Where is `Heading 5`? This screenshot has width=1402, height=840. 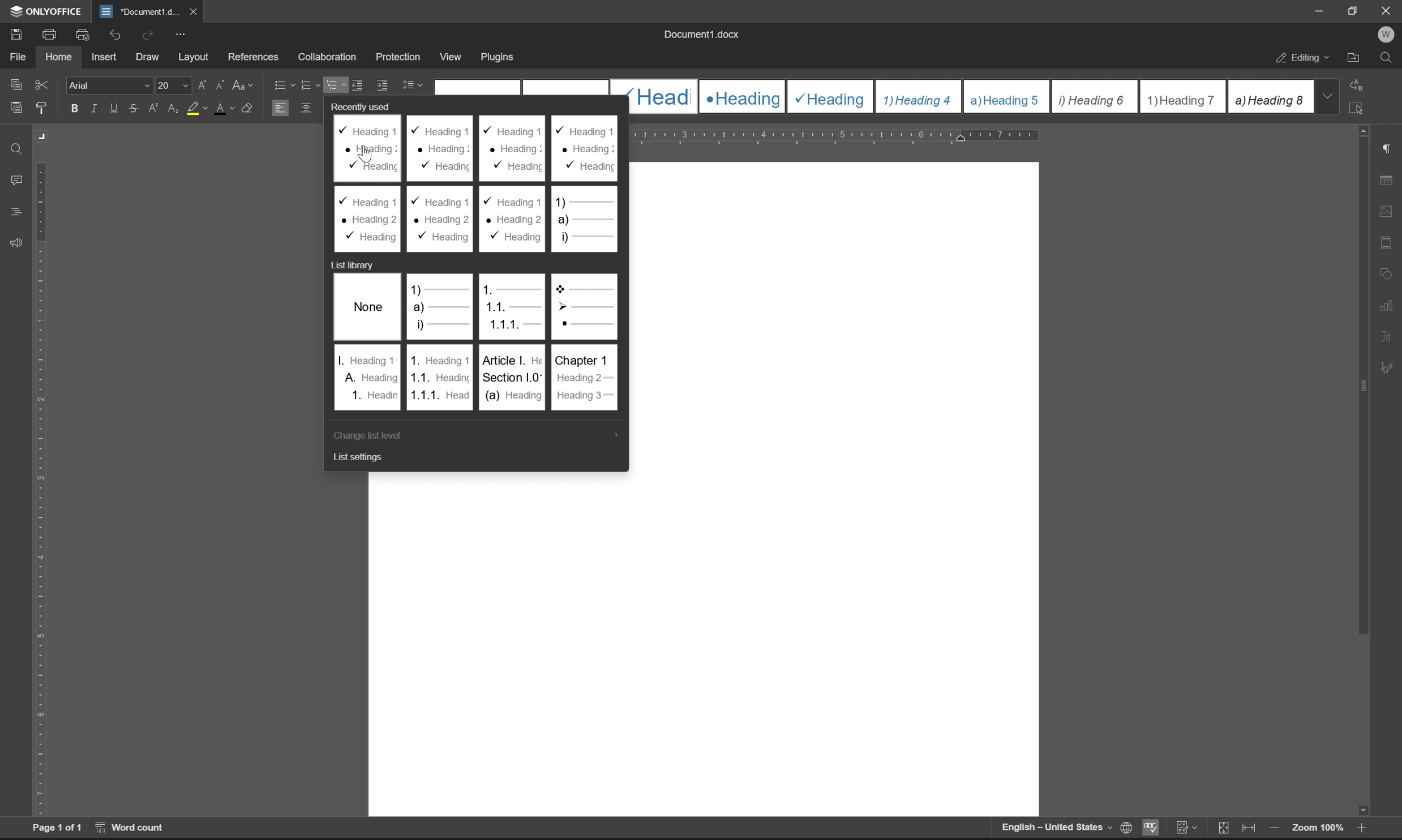
Heading 5 is located at coordinates (1007, 96).